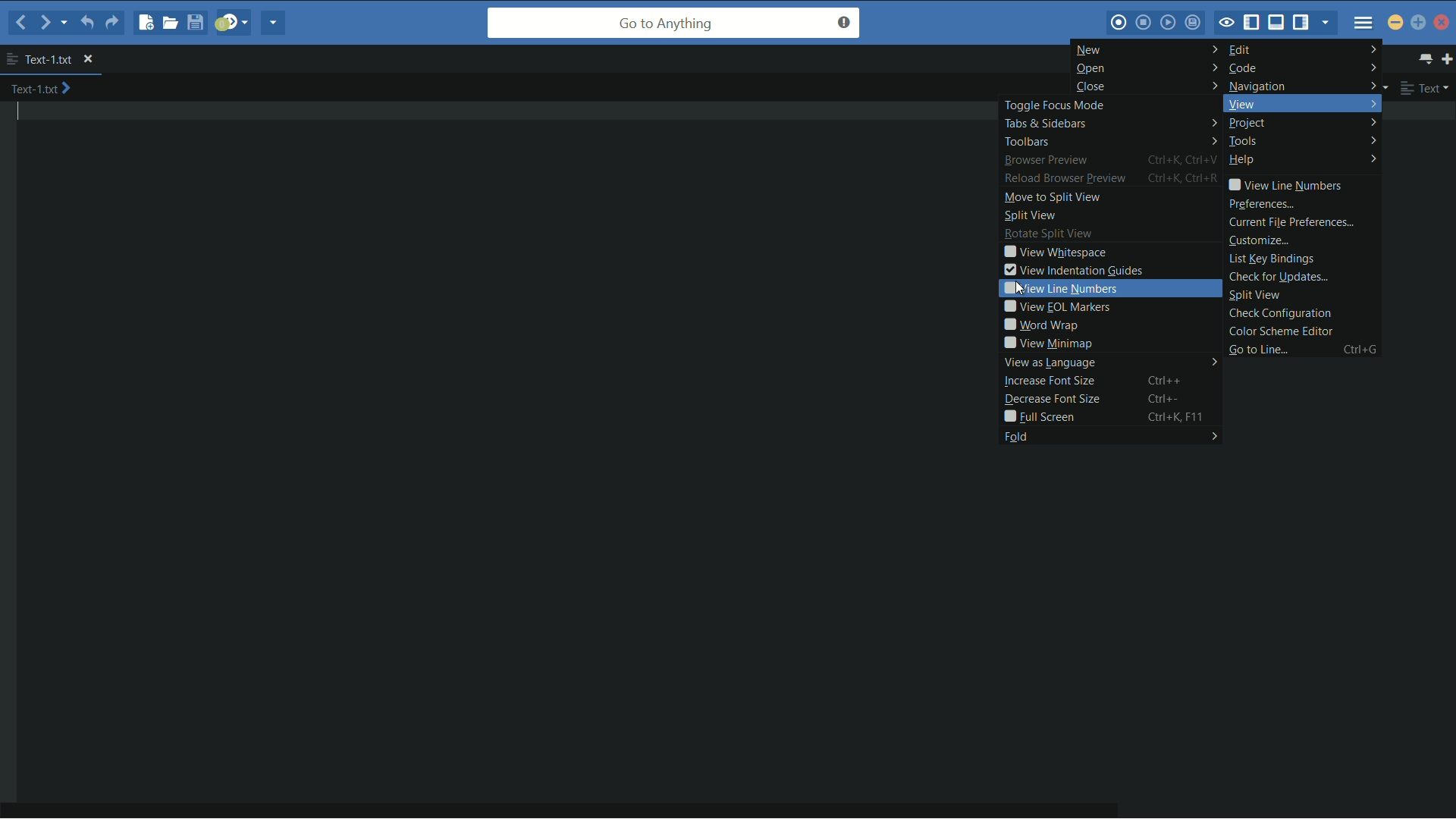  Describe the element at coordinates (1254, 295) in the screenshot. I see `split view` at that location.